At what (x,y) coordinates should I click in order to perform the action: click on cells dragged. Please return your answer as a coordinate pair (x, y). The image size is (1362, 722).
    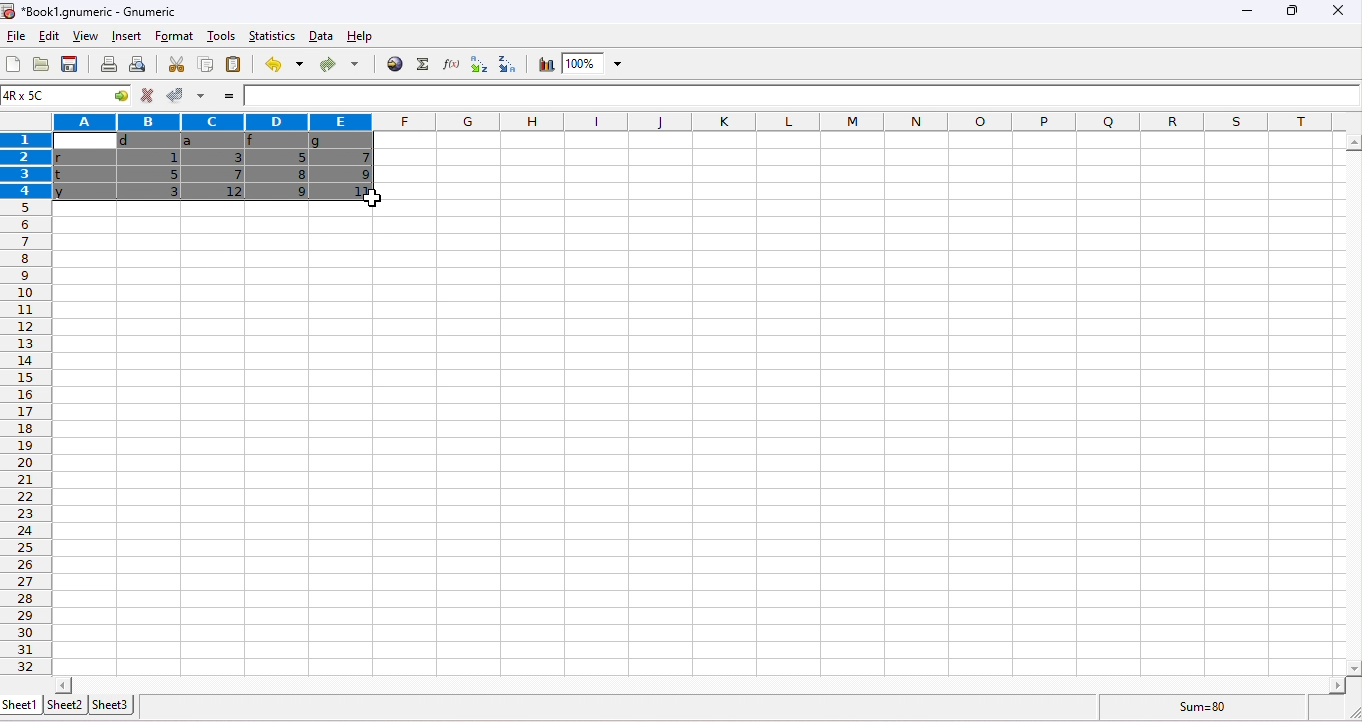
    Looking at the image, I should click on (214, 169).